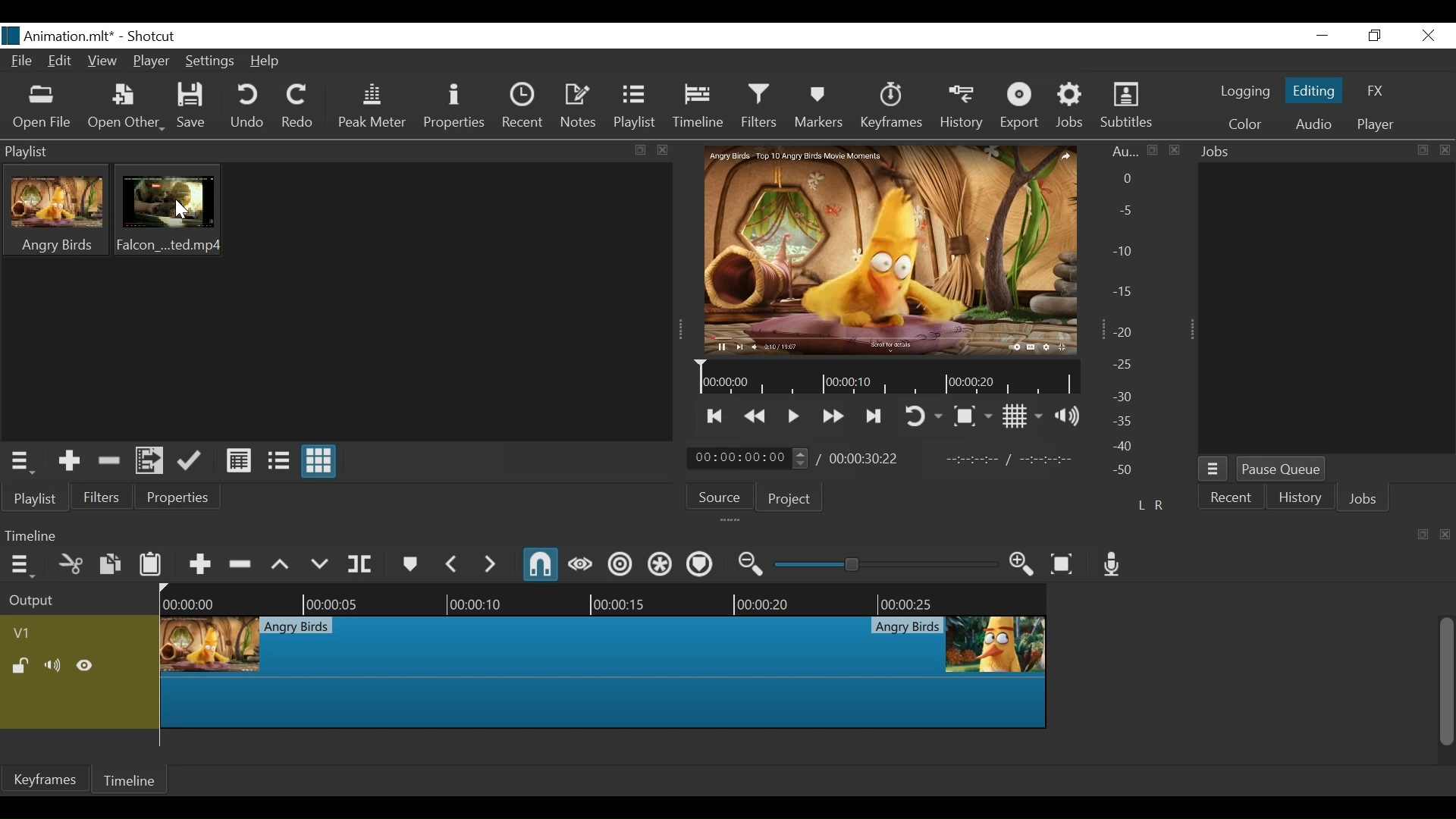 Image resolution: width=1456 pixels, height=819 pixels. Describe the element at coordinates (24, 633) in the screenshot. I see `Track Header` at that location.